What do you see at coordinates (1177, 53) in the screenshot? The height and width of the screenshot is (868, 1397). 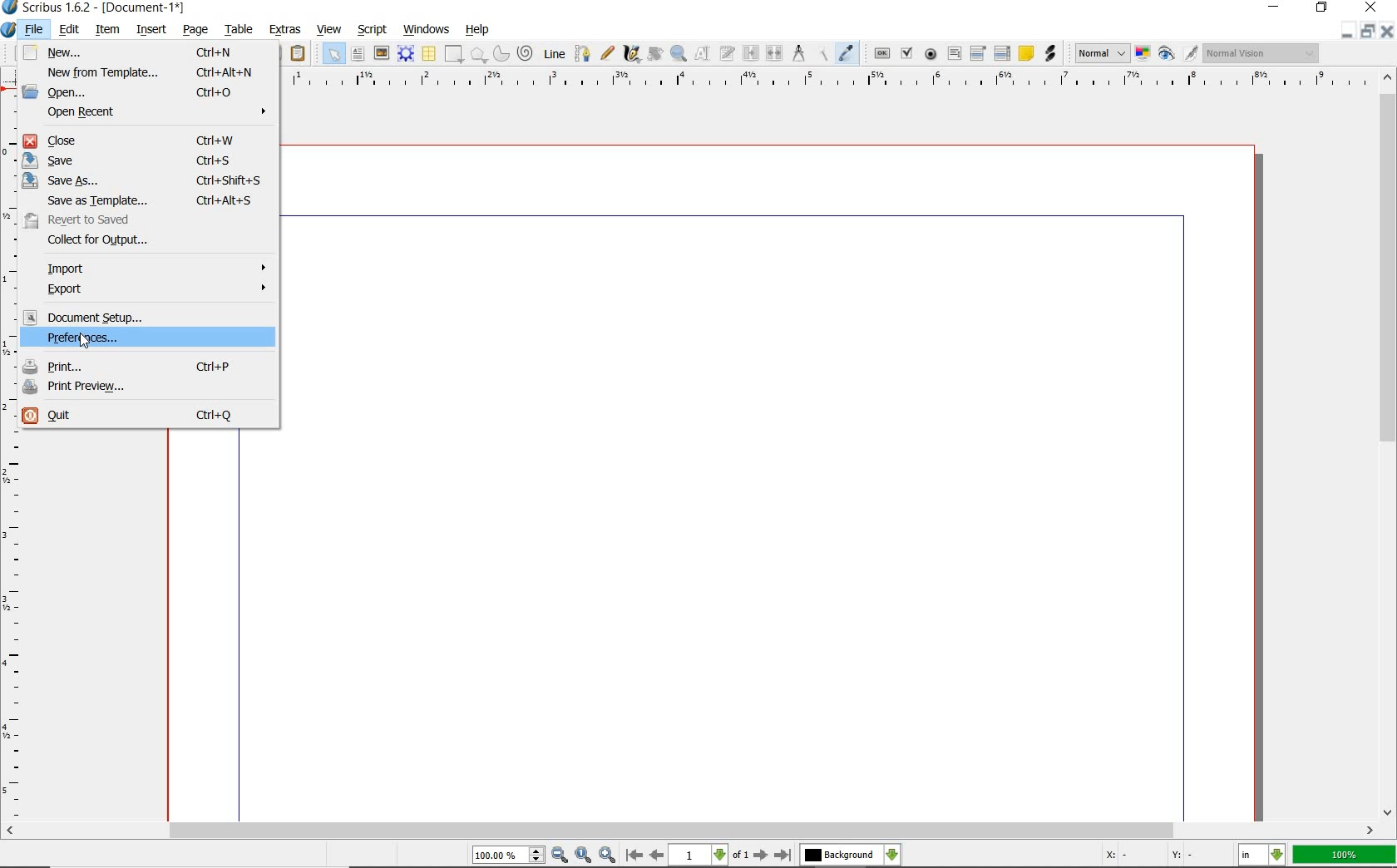 I see `preview mode` at bounding box center [1177, 53].